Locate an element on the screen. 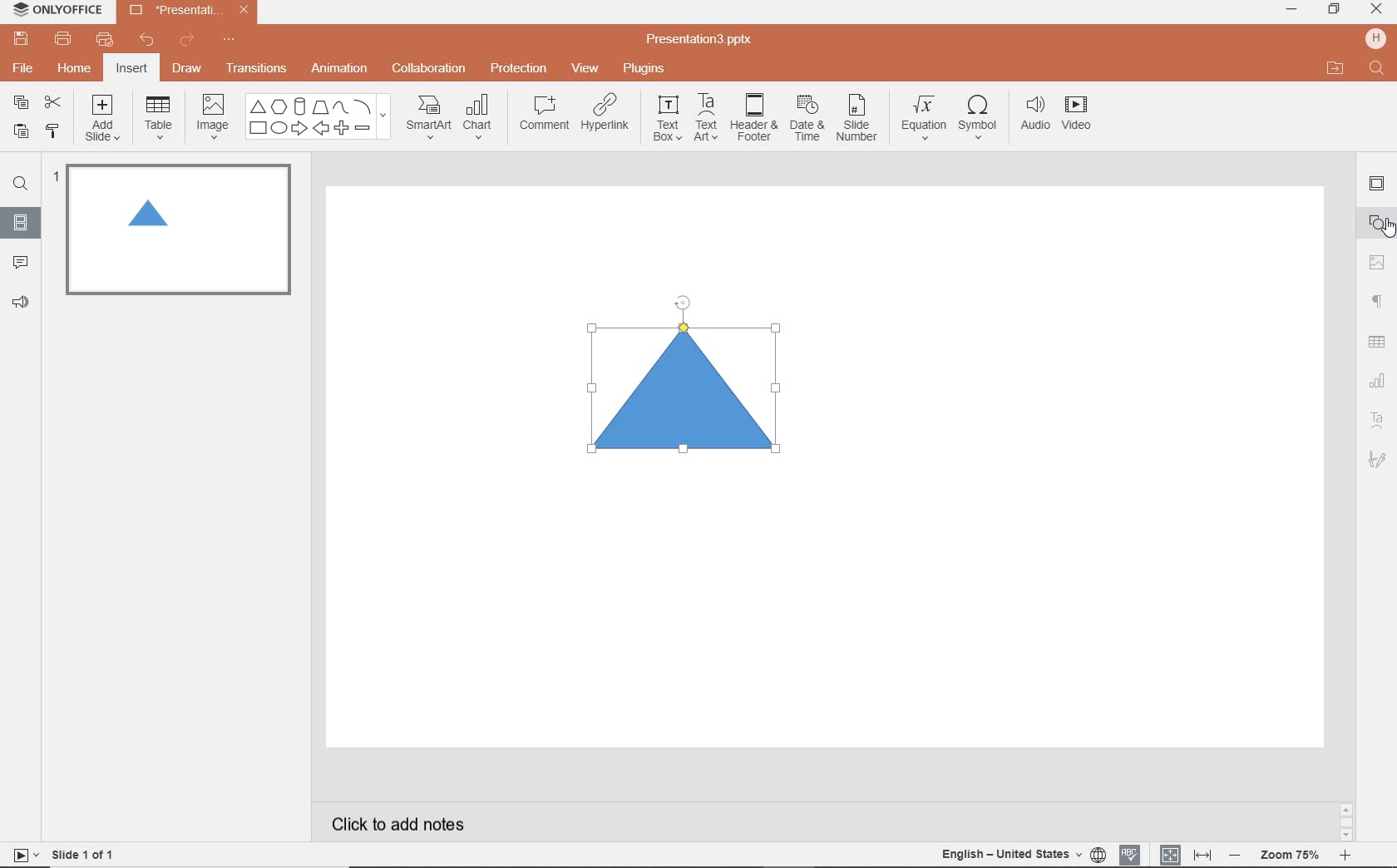  COMMENT is located at coordinates (543, 117).